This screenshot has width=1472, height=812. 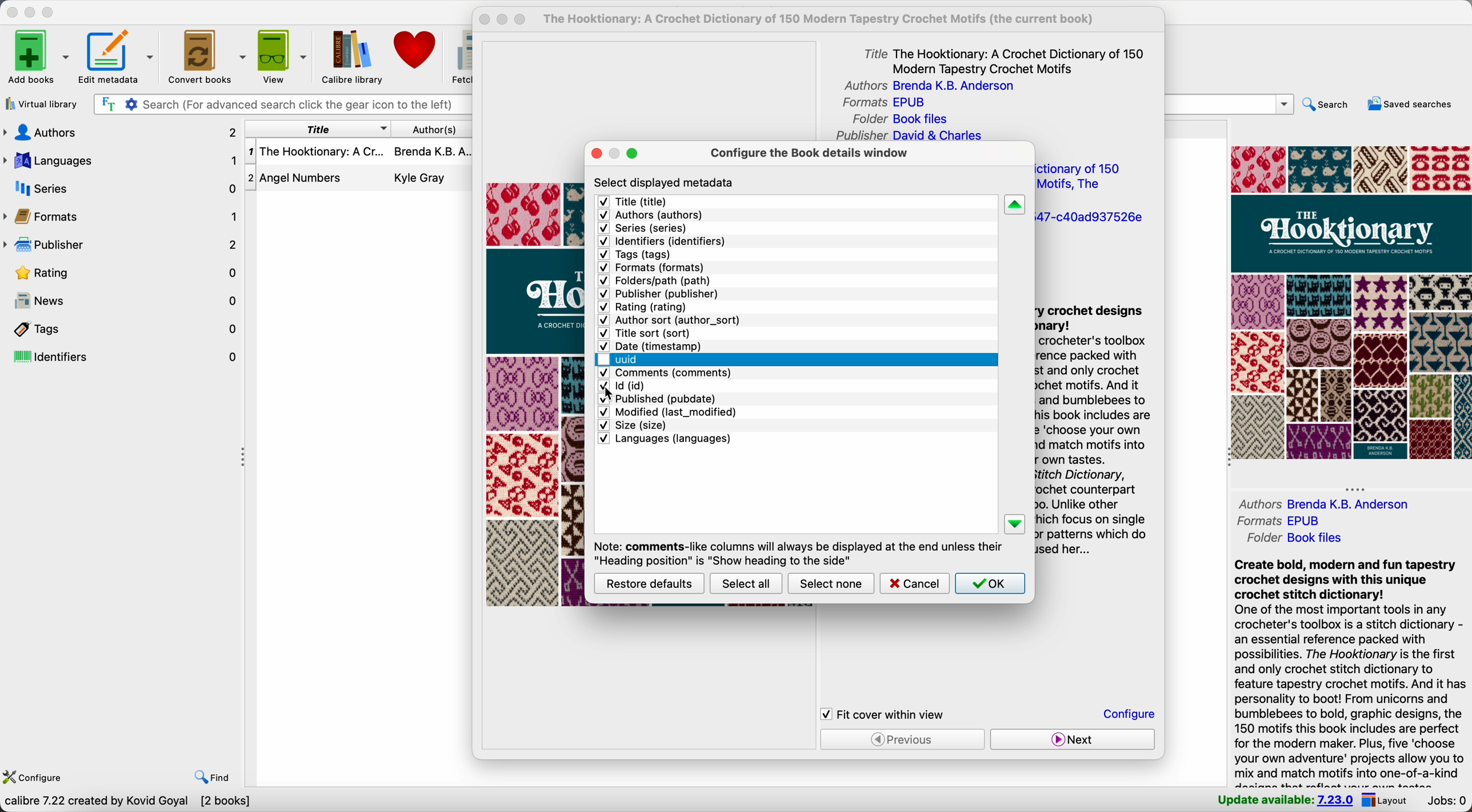 What do you see at coordinates (359, 157) in the screenshot?
I see `The Hooktionary book details` at bounding box center [359, 157].